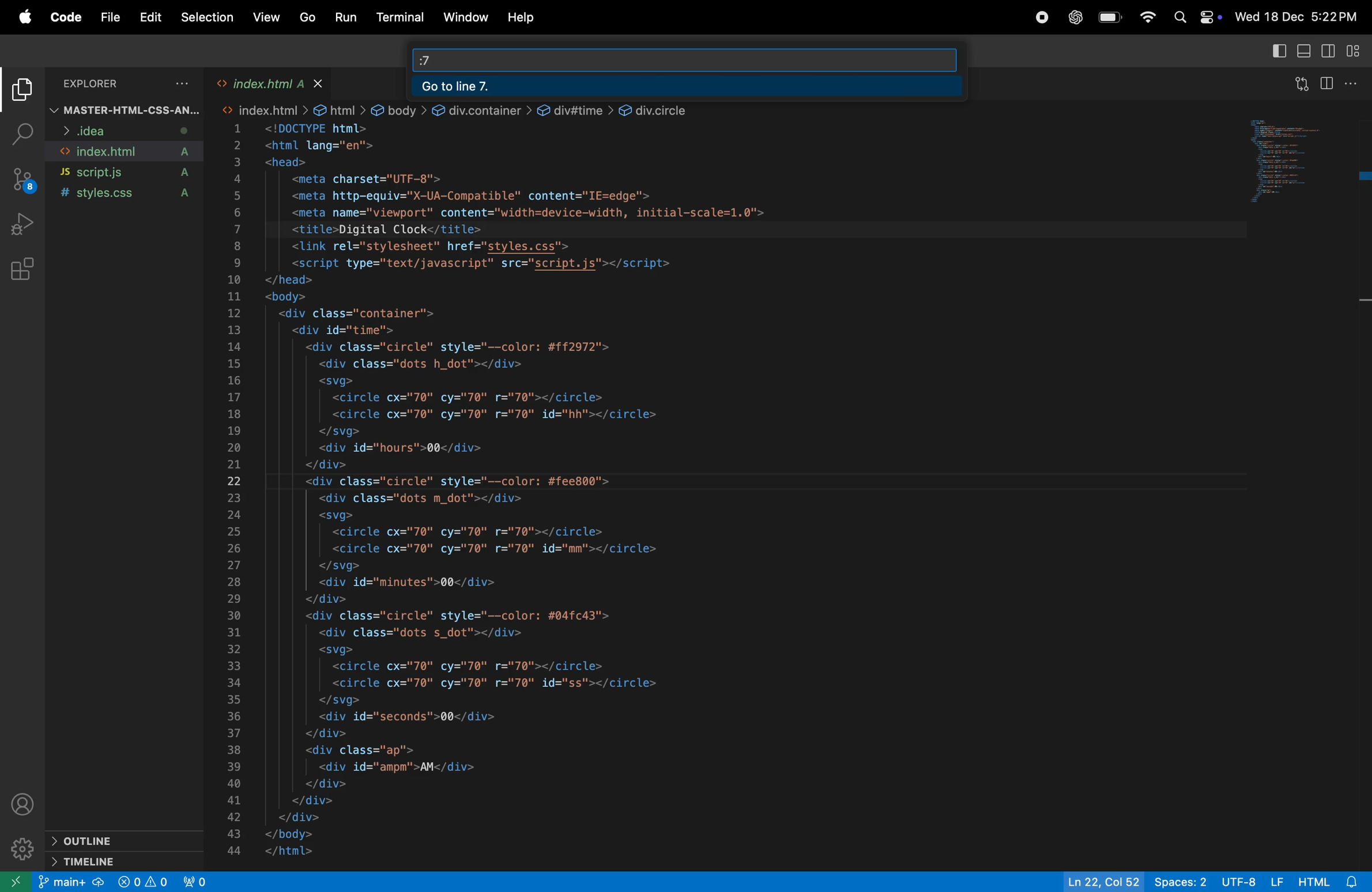 The width and height of the screenshot is (1372, 892). Describe the element at coordinates (666, 108) in the screenshot. I see `link` at that location.